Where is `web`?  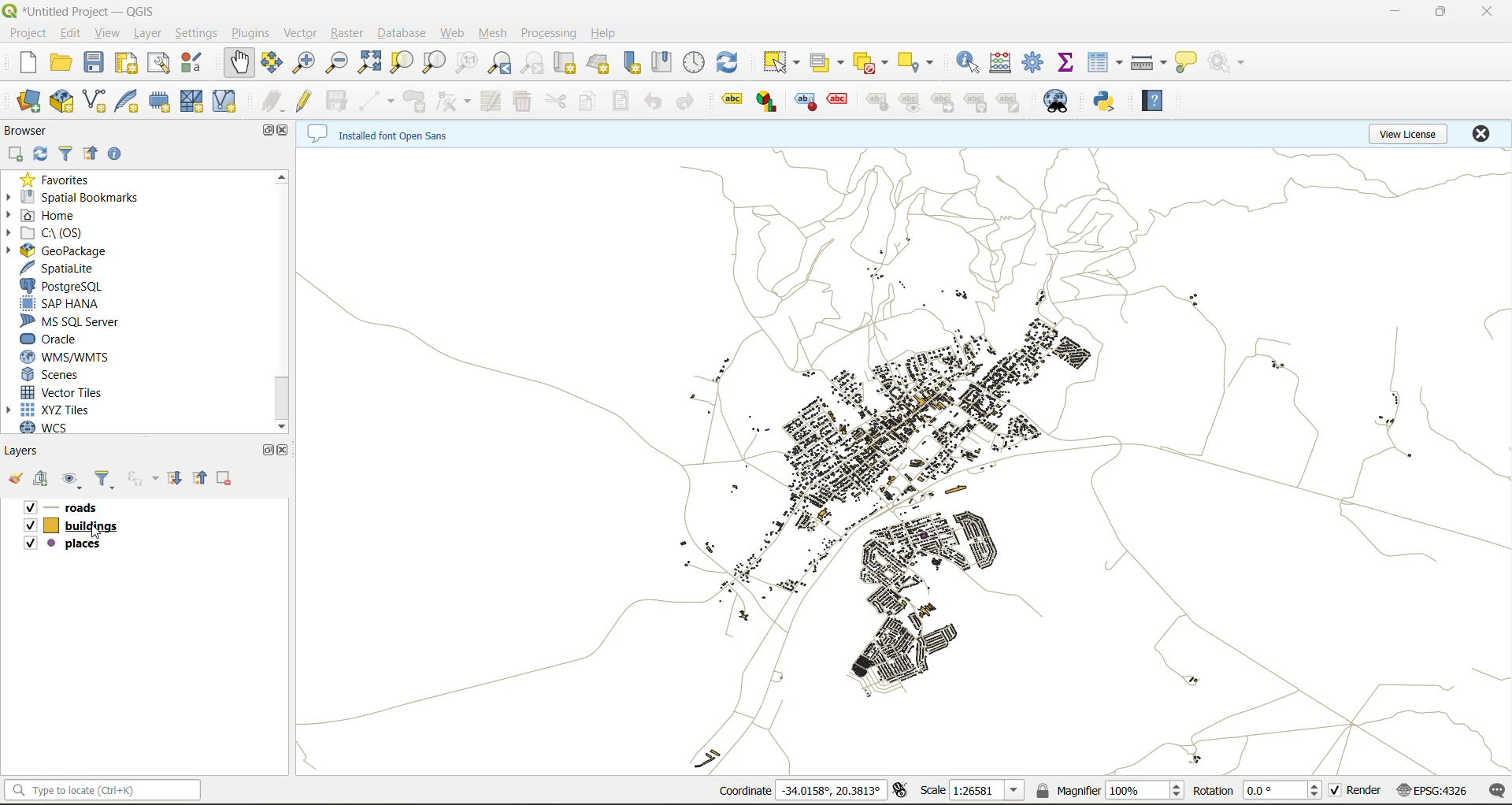
web is located at coordinates (451, 35).